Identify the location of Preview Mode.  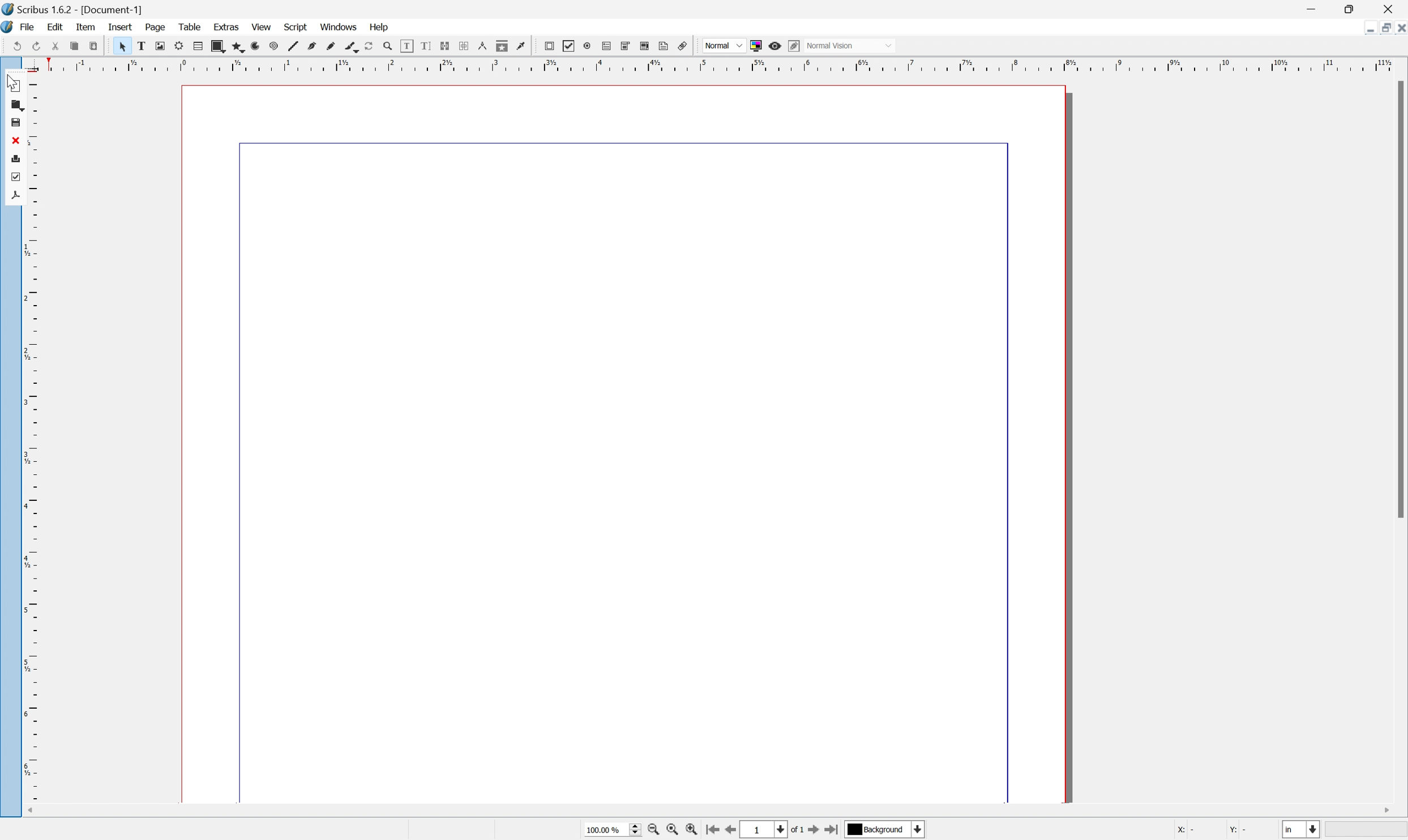
(775, 46).